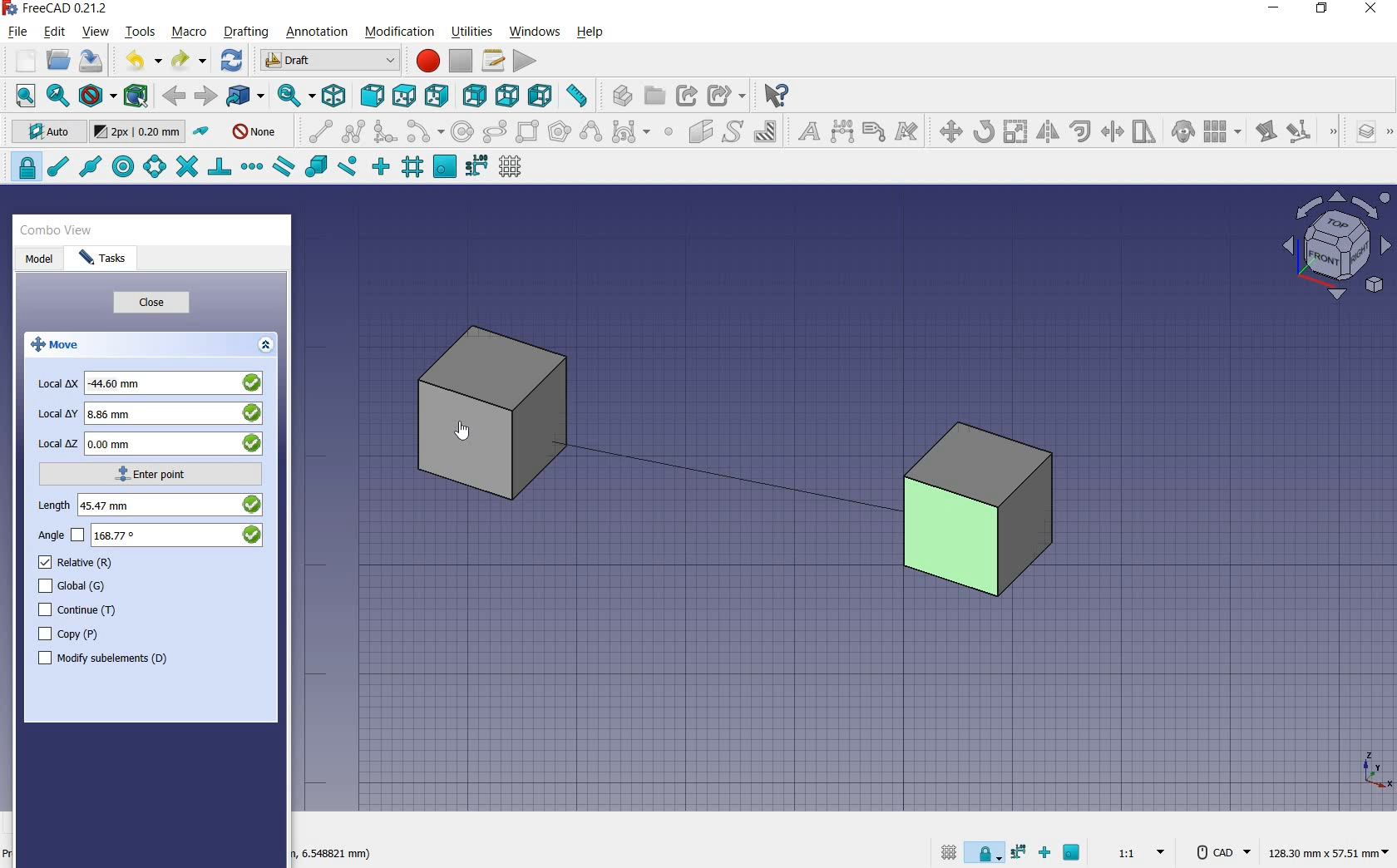 The height and width of the screenshot is (868, 1397). I want to click on undo, so click(137, 60).